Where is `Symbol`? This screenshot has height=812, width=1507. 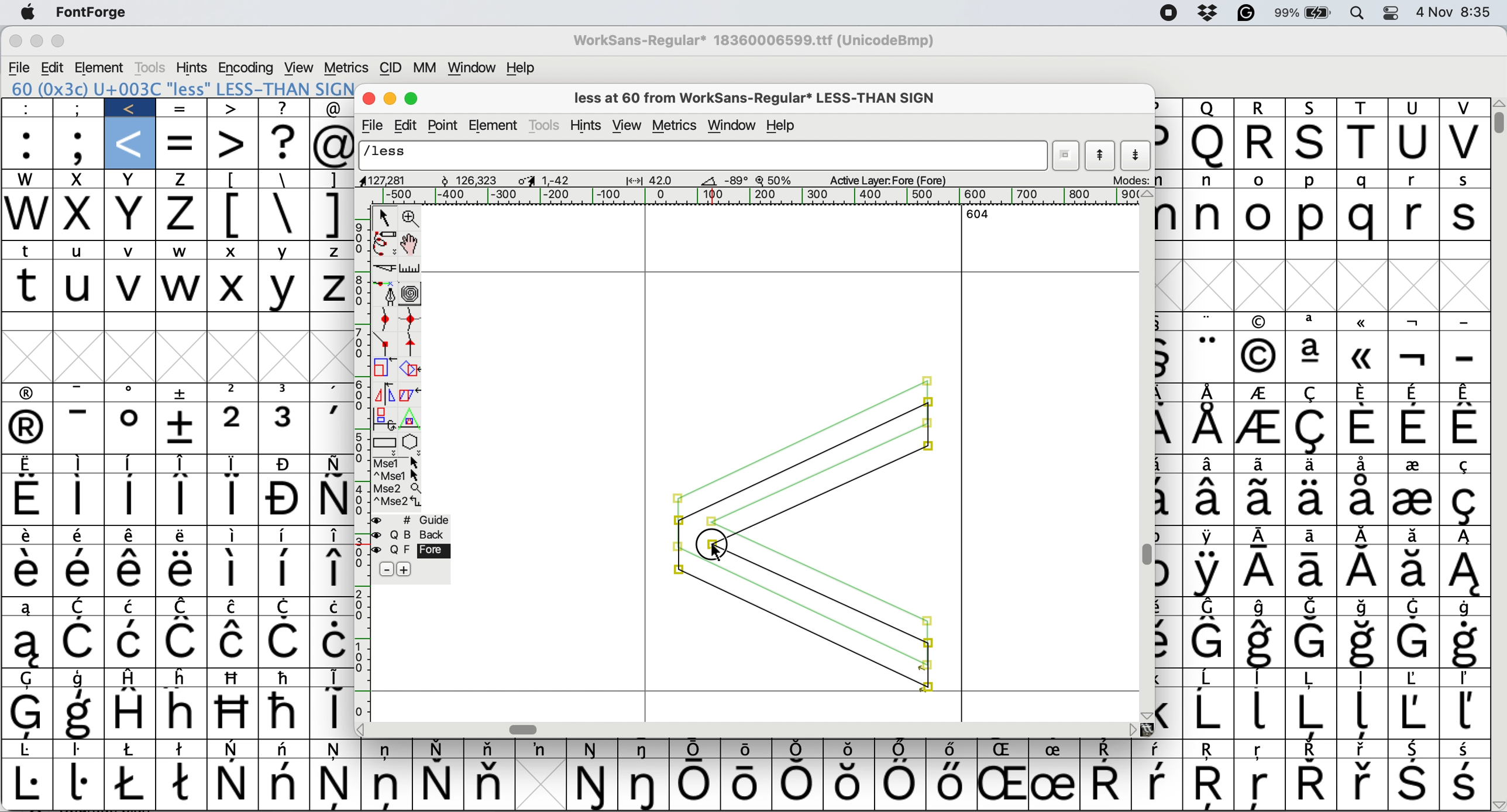
Symbol is located at coordinates (1313, 463).